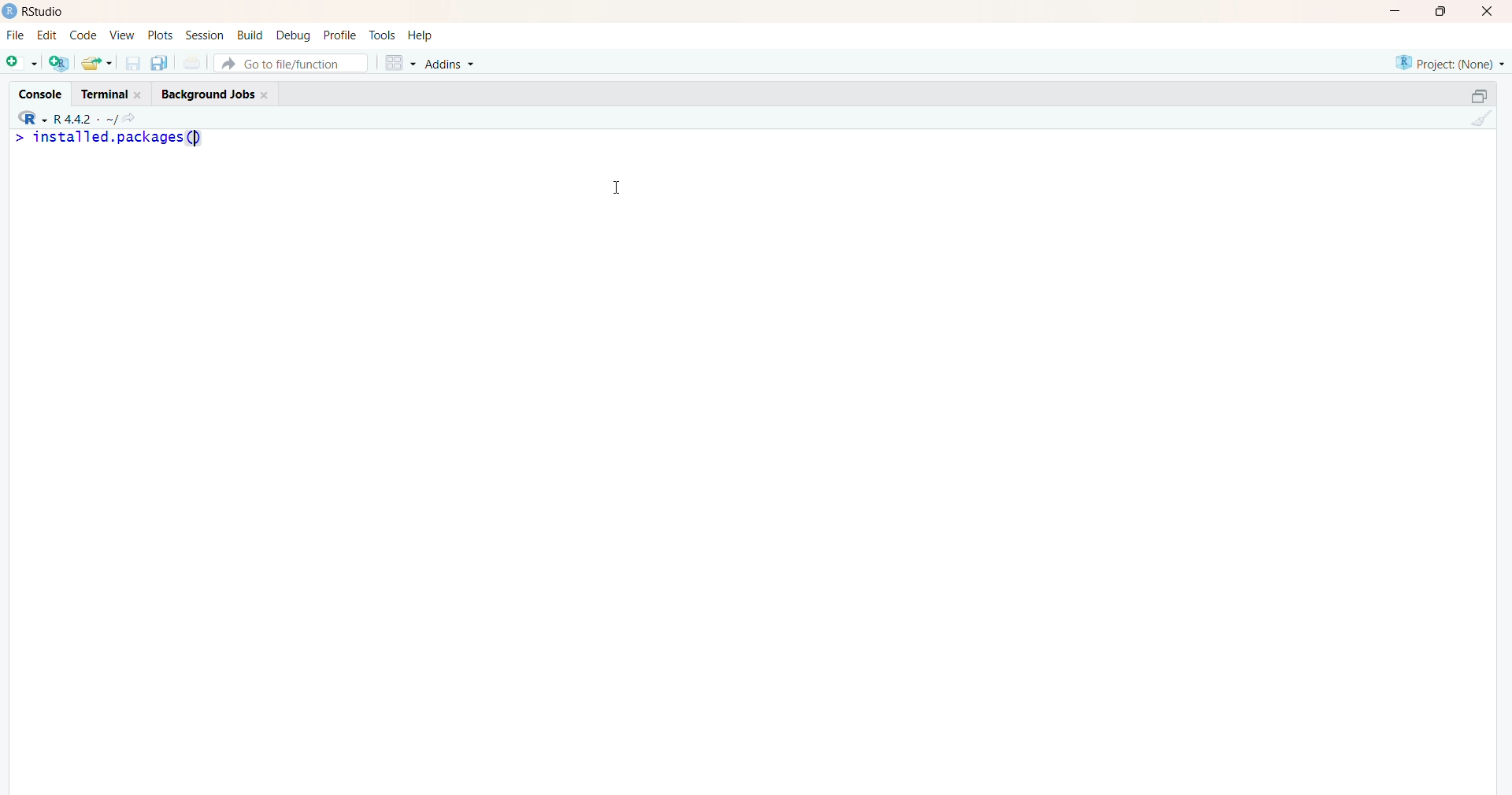 The width and height of the screenshot is (1512, 795). Describe the element at coordinates (130, 120) in the screenshot. I see `view the current working directory` at that location.